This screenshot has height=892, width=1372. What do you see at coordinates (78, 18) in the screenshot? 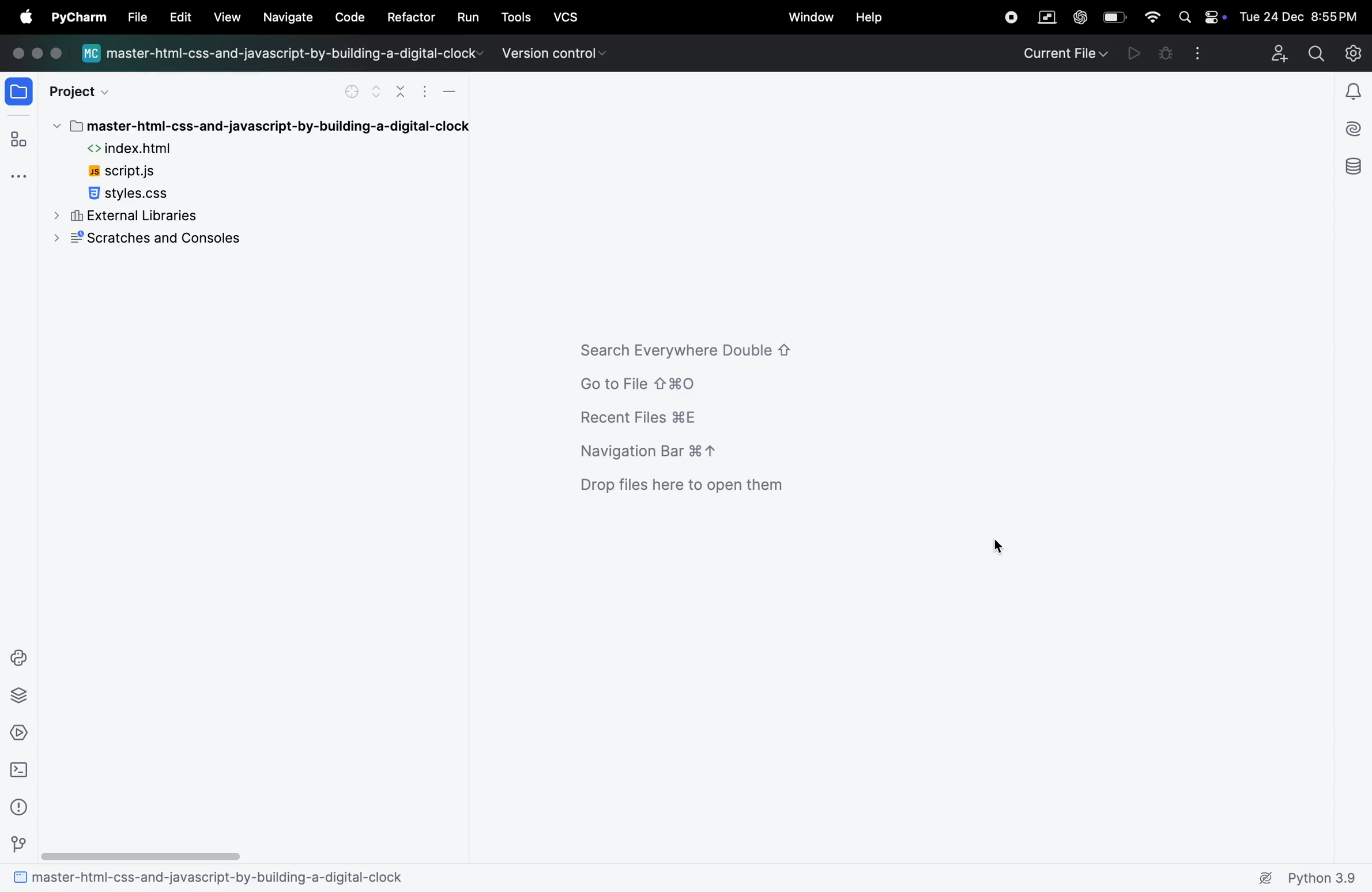
I see `pycharm` at bounding box center [78, 18].